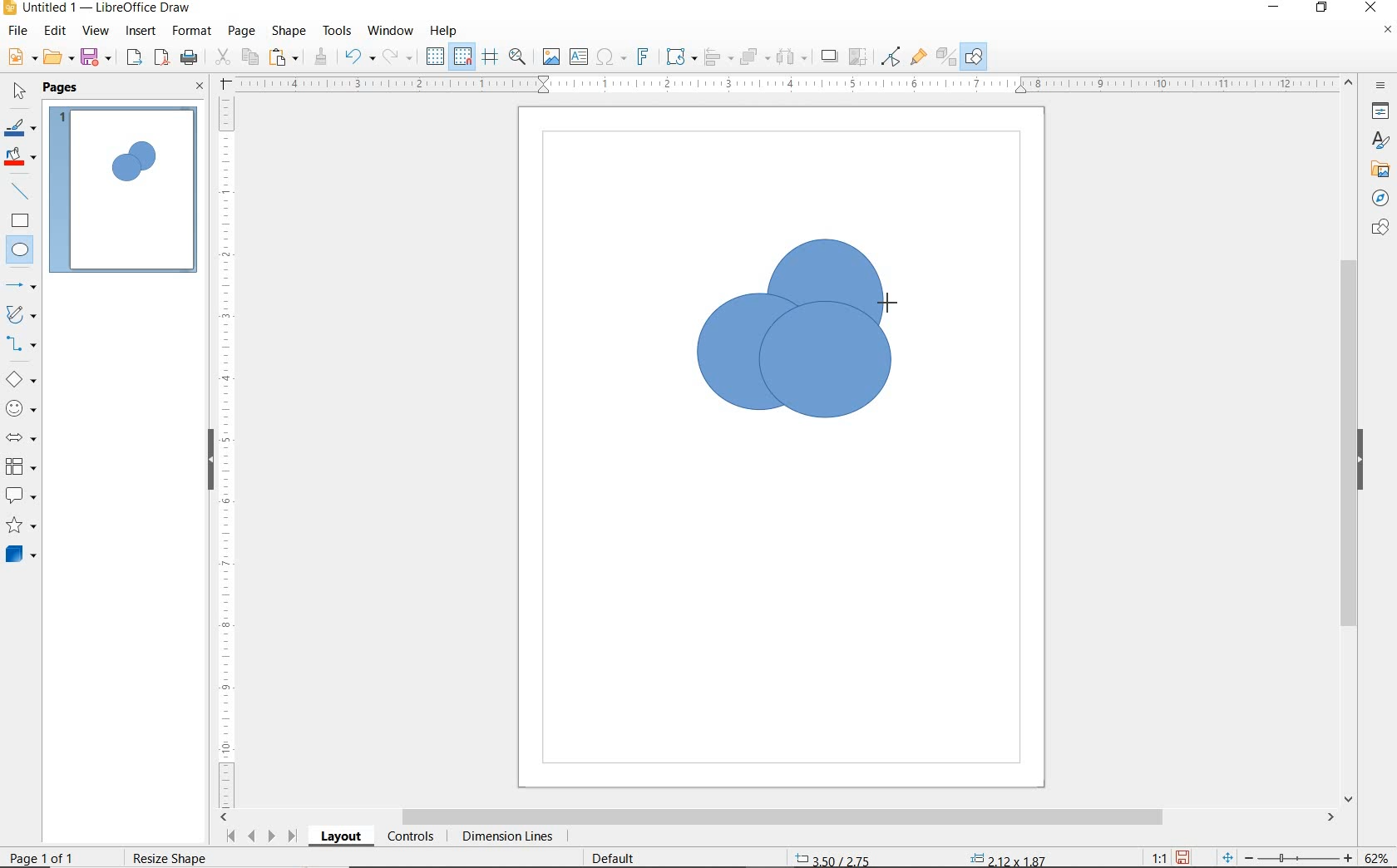 The width and height of the screenshot is (1397, 868). What do you see at coordinates (22, 287) in the screenshot?
I see `LINES AND ARROWS` at bounding box center [22, 287].